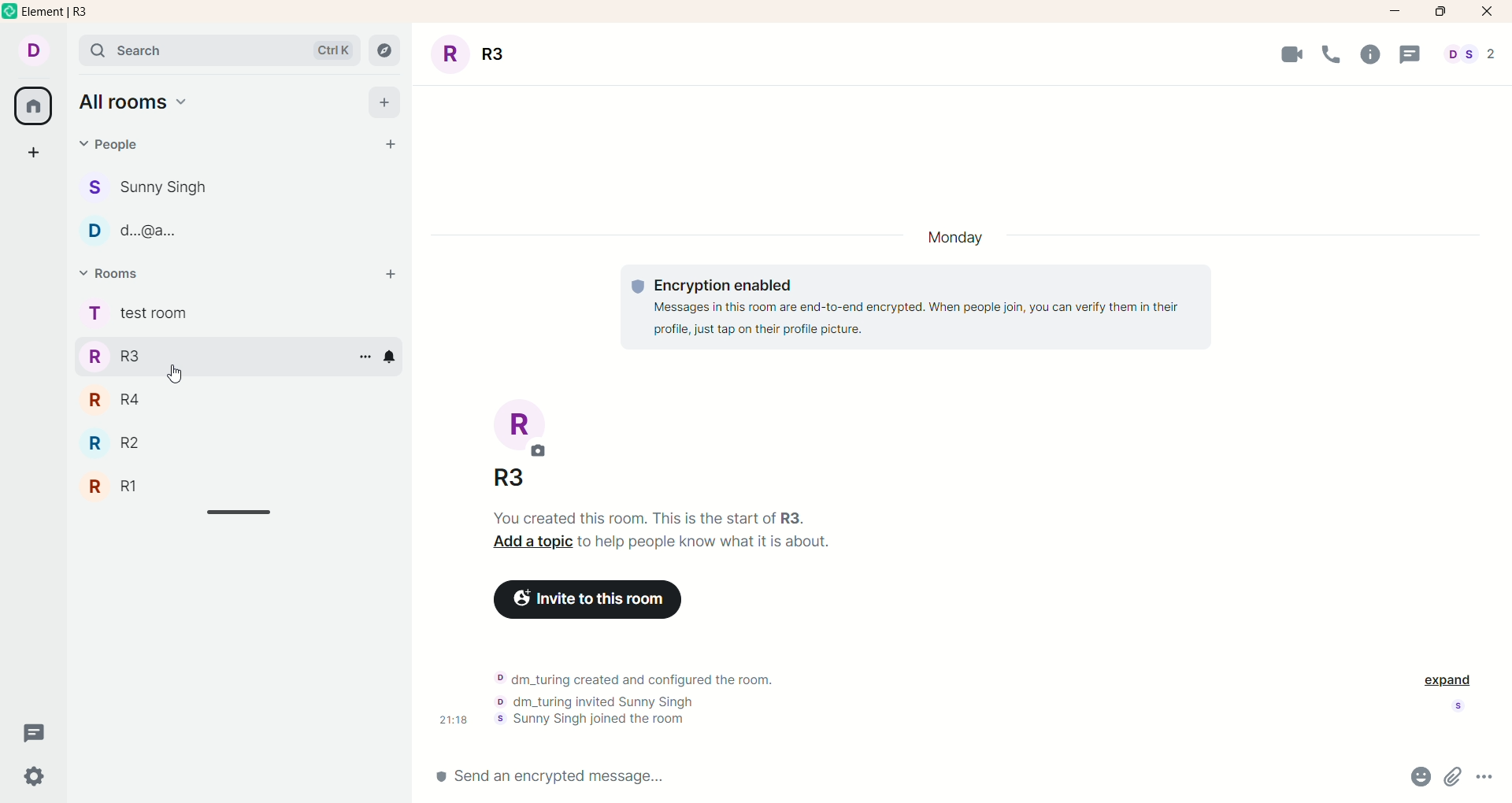  What do you see at coordinates (40, 777) in the screenshot?
I see `settings` at bounding box center [40, 777].